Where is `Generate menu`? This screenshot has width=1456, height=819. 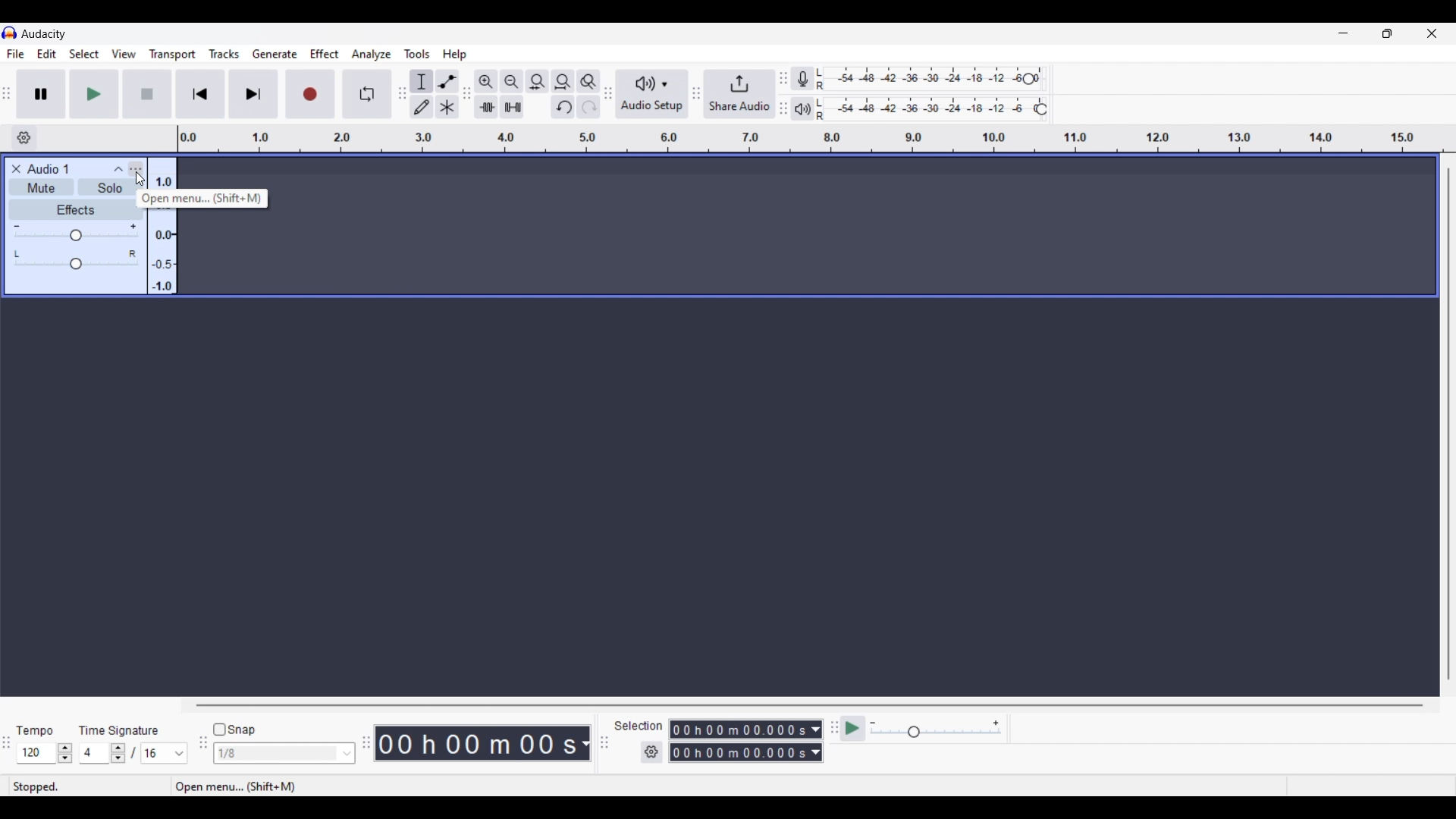
Generate menu is located at coordinates (275, 54).